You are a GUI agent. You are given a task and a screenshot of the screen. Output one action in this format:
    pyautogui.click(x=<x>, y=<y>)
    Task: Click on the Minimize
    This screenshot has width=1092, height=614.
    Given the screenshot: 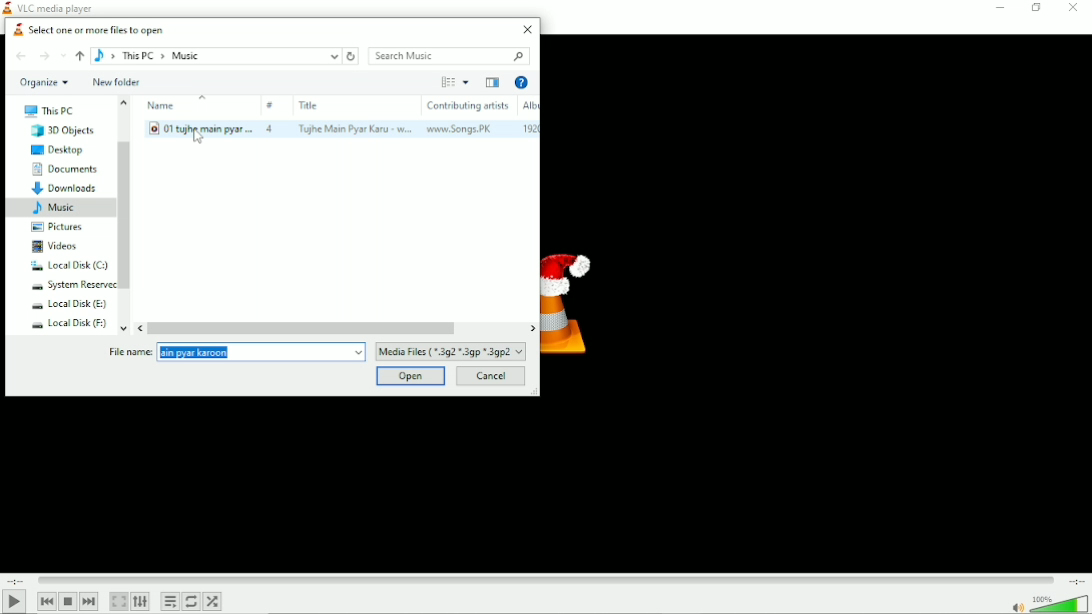 What is the action you would take?
    pyautogui.click(x=1001, y=8)
    